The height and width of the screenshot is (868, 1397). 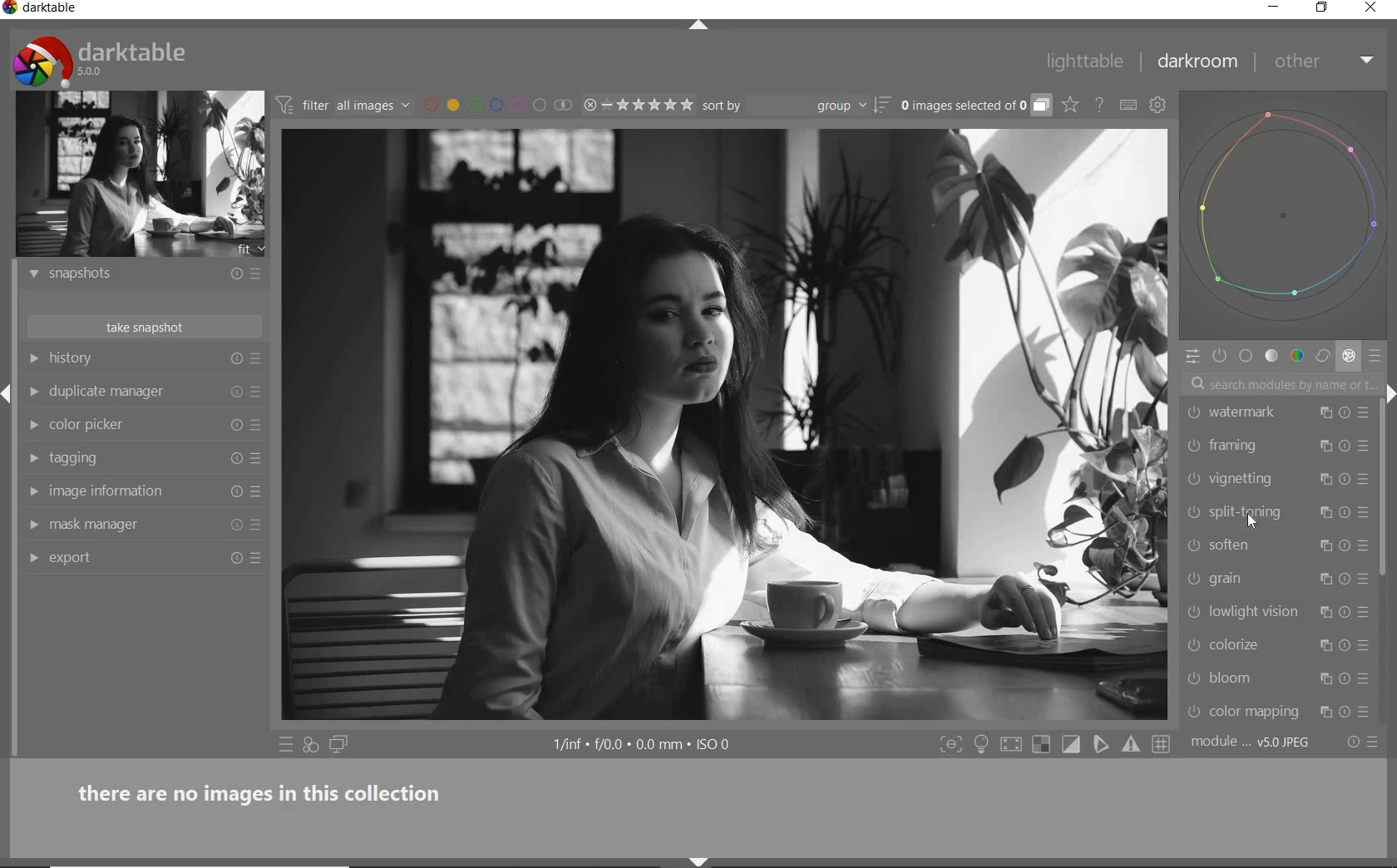 I want to click on show module, so click(x=31, y=459).